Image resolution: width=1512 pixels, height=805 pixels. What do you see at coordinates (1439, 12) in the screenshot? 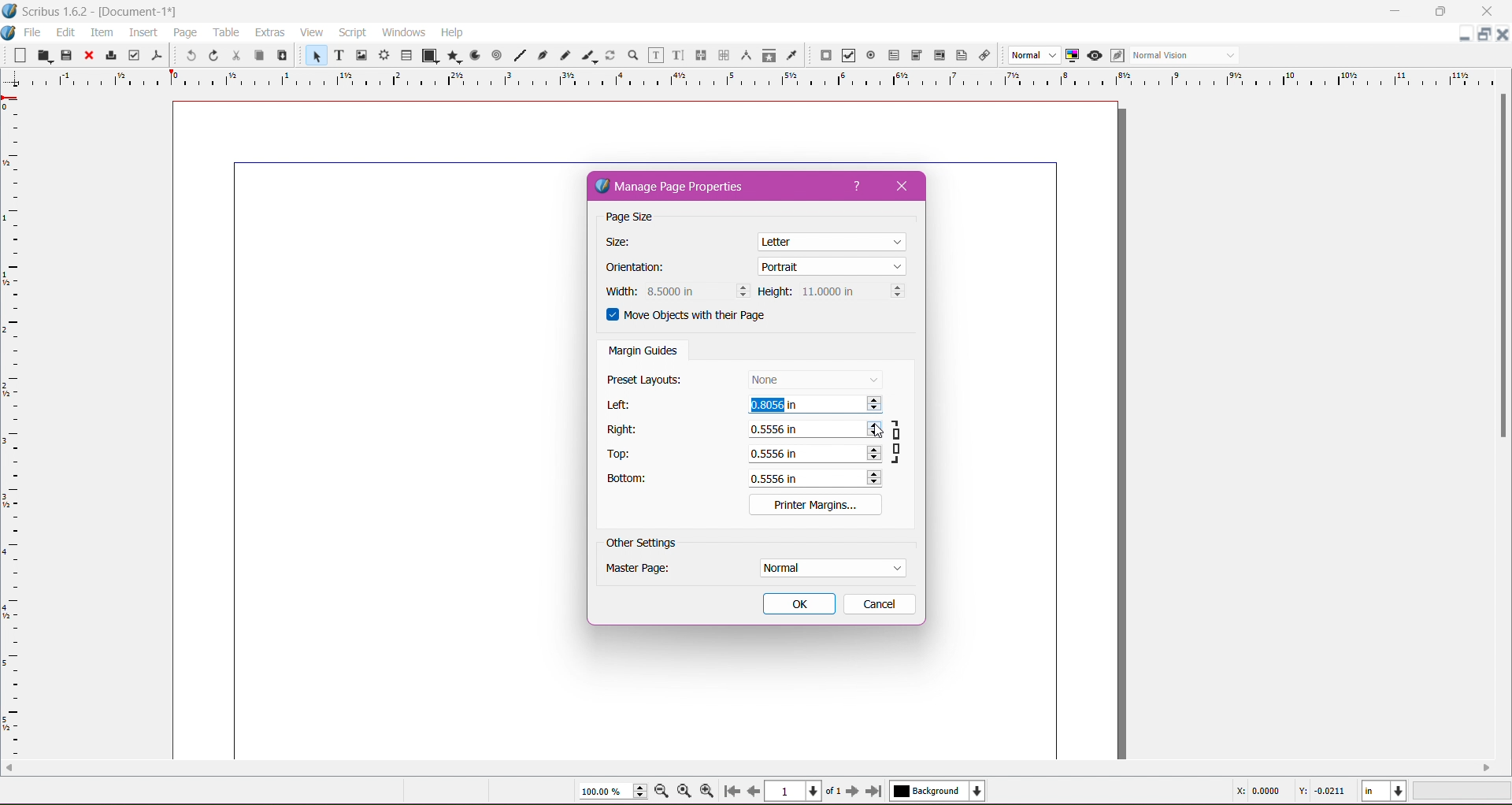
I see `Restore Down` at bounding box center [1439, 12].